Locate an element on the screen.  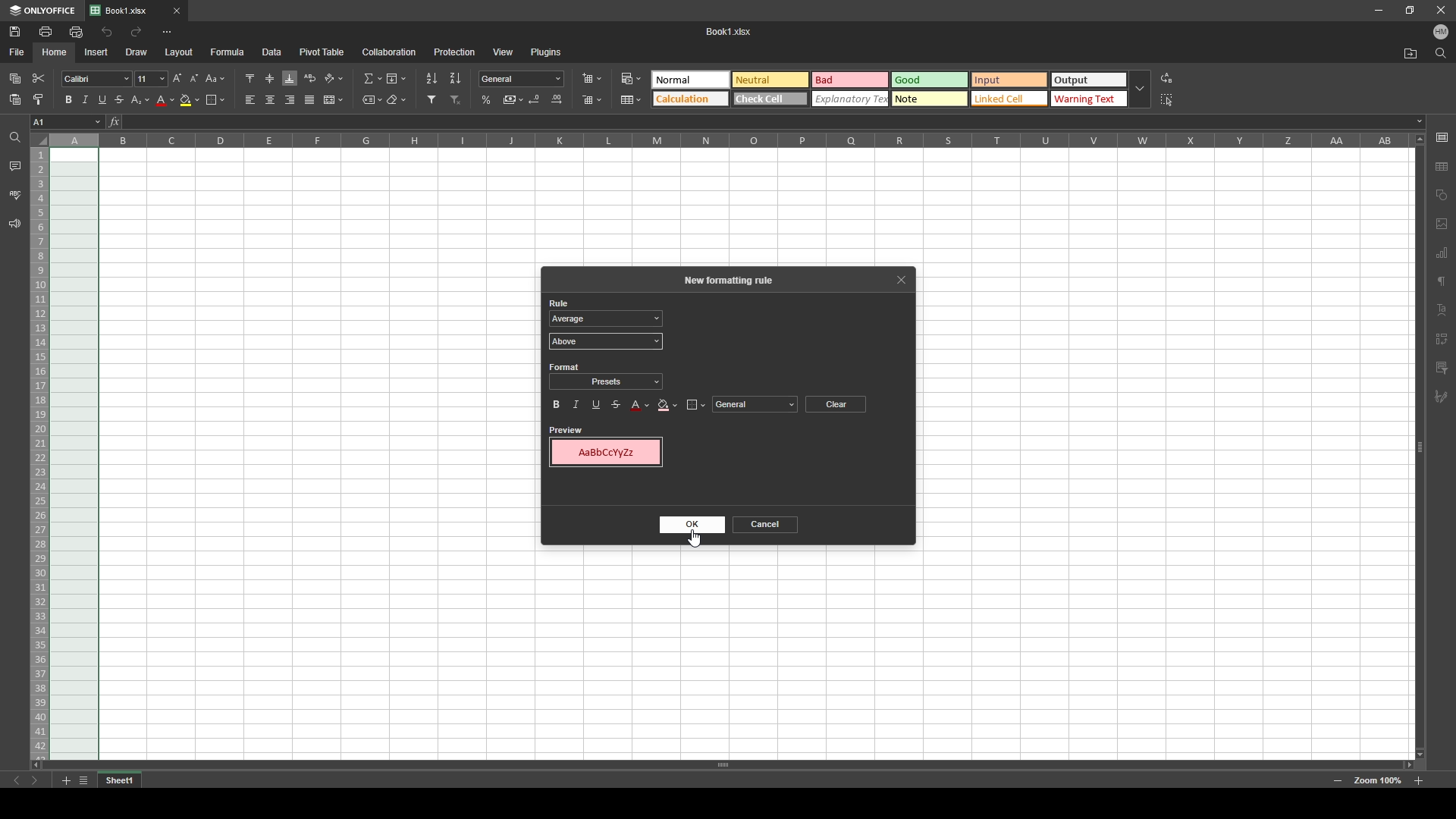
format as table template is located at coordinates (632, 100).